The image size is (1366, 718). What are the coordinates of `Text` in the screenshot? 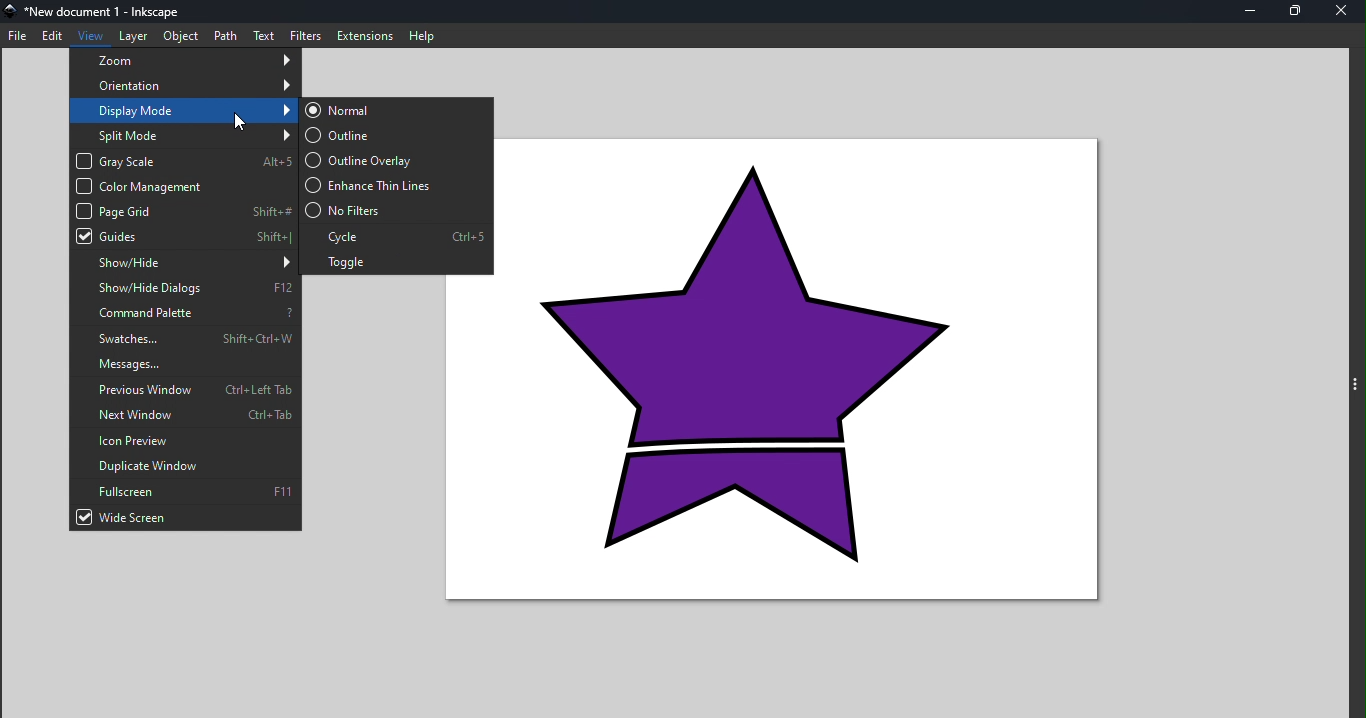 It's located at (266, 34).